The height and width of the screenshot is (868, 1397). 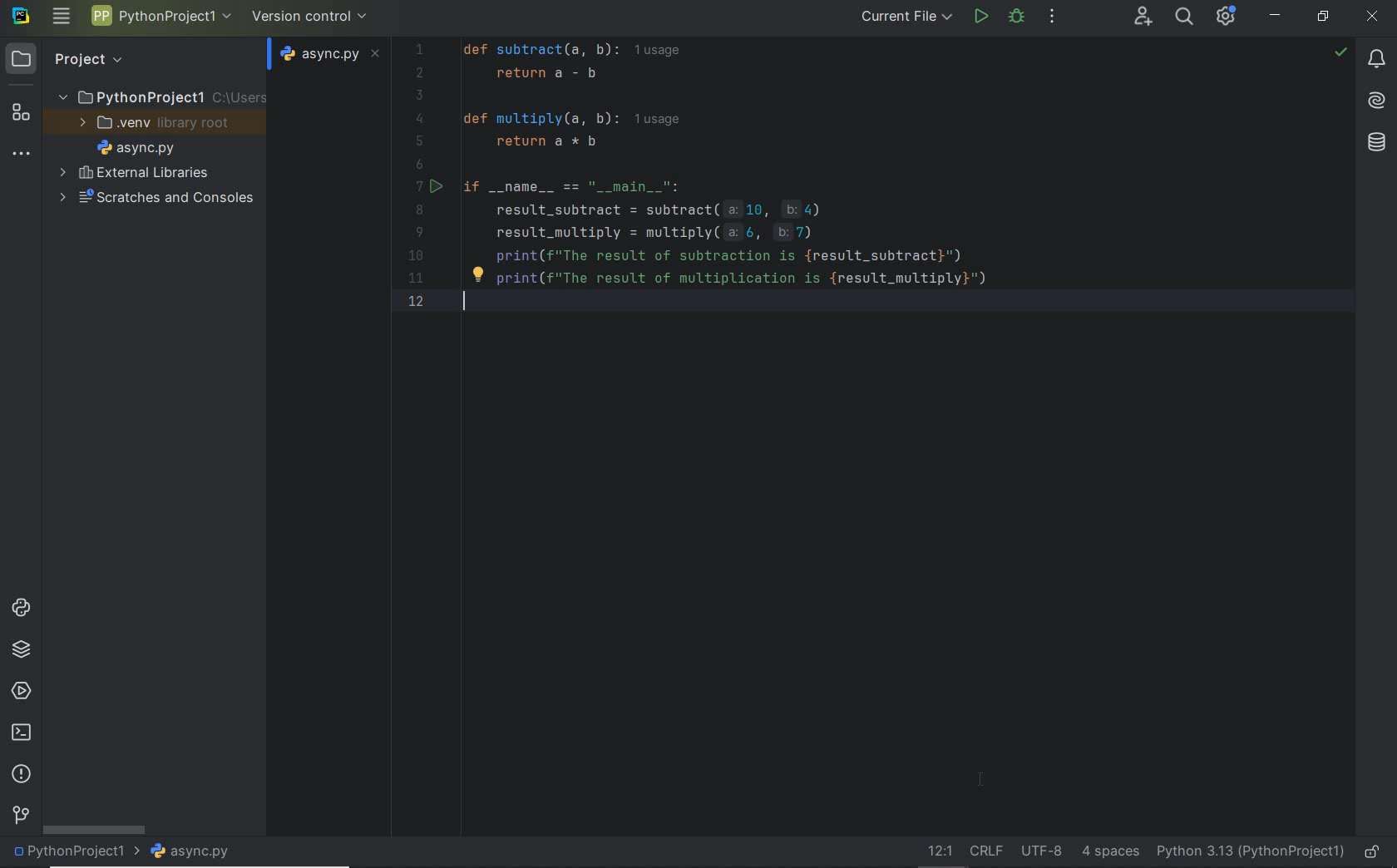 What do you see at coordinates (195, 852) in the screenshot?
I see `file name` at bounding box center [195, 852].